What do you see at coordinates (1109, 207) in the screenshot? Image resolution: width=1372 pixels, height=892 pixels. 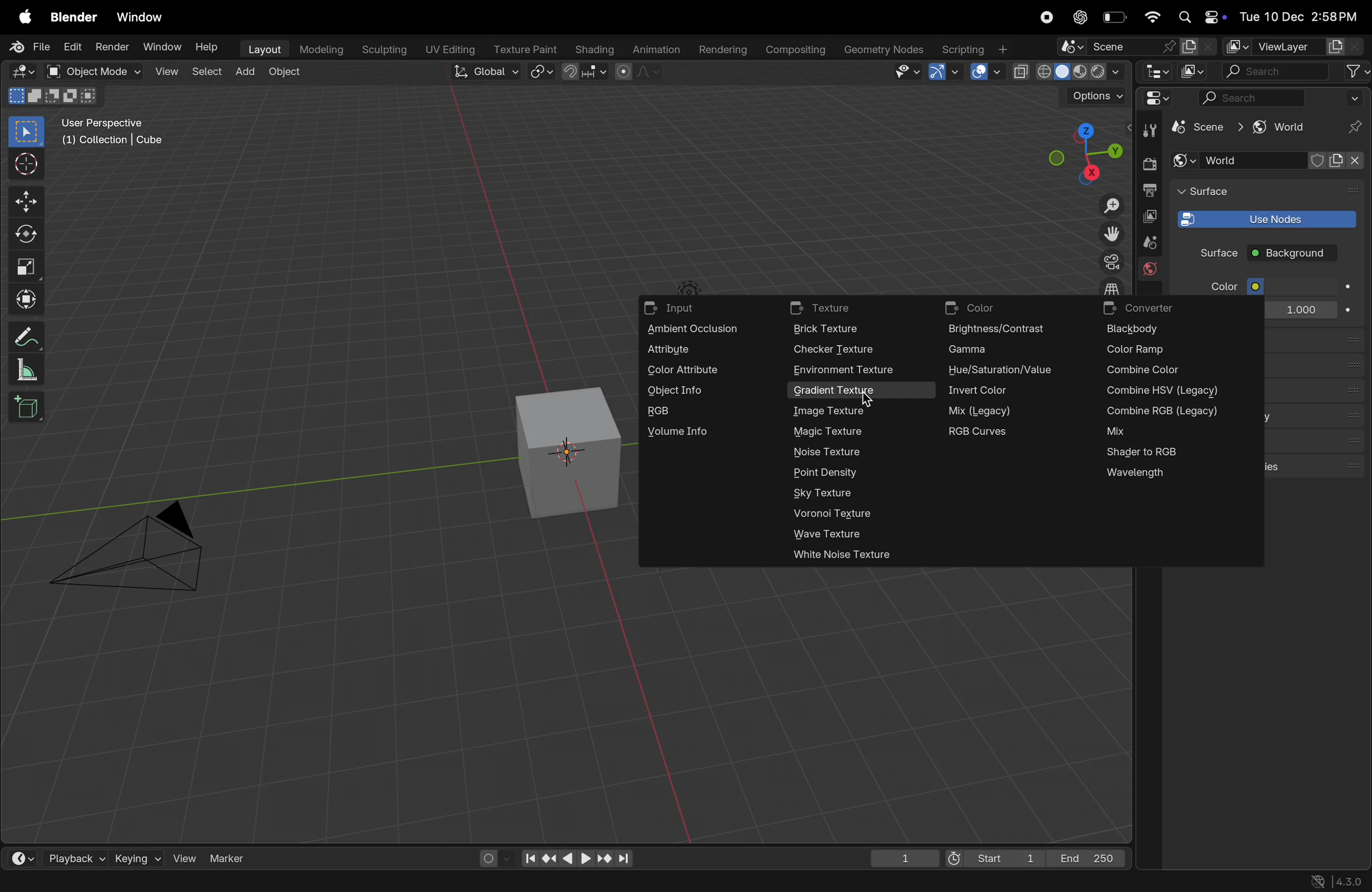 I see `Zoom` at bounding box center [1109, 207].